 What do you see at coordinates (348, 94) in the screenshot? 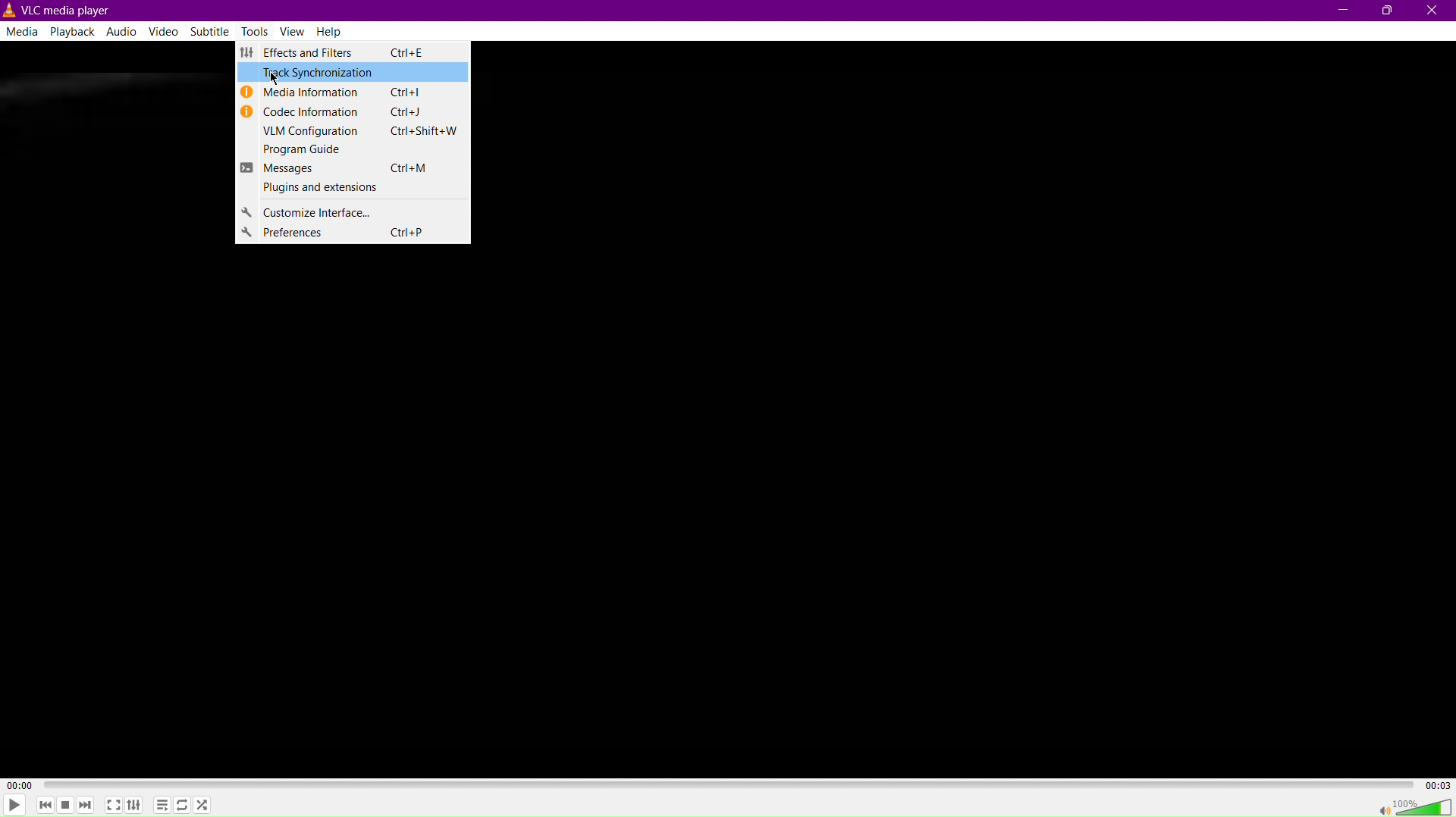
I see `Media Information` at bounding box center [348, 94].